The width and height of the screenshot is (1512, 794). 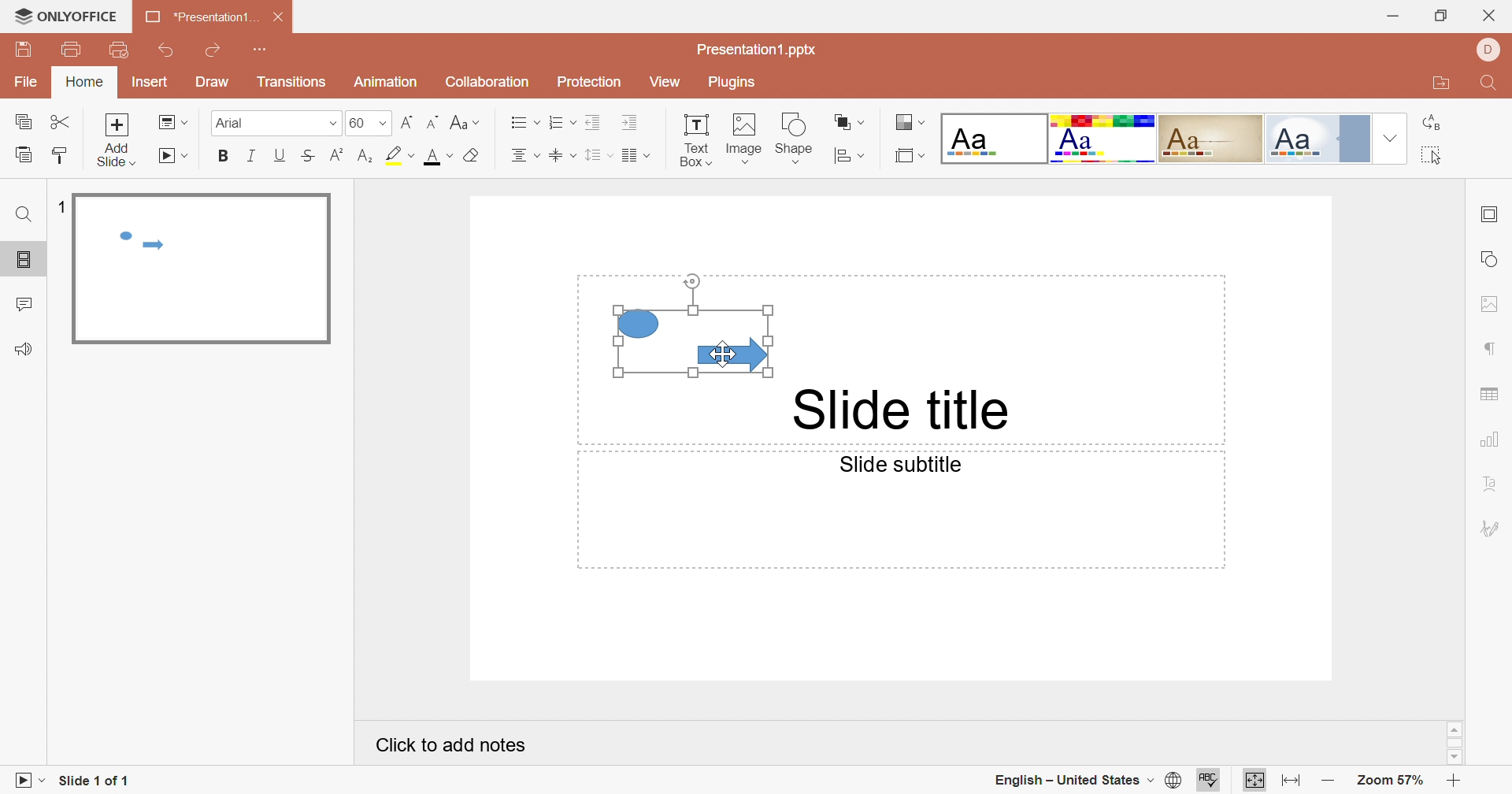 I want to click on Cursor, so click(x=724, y=357).